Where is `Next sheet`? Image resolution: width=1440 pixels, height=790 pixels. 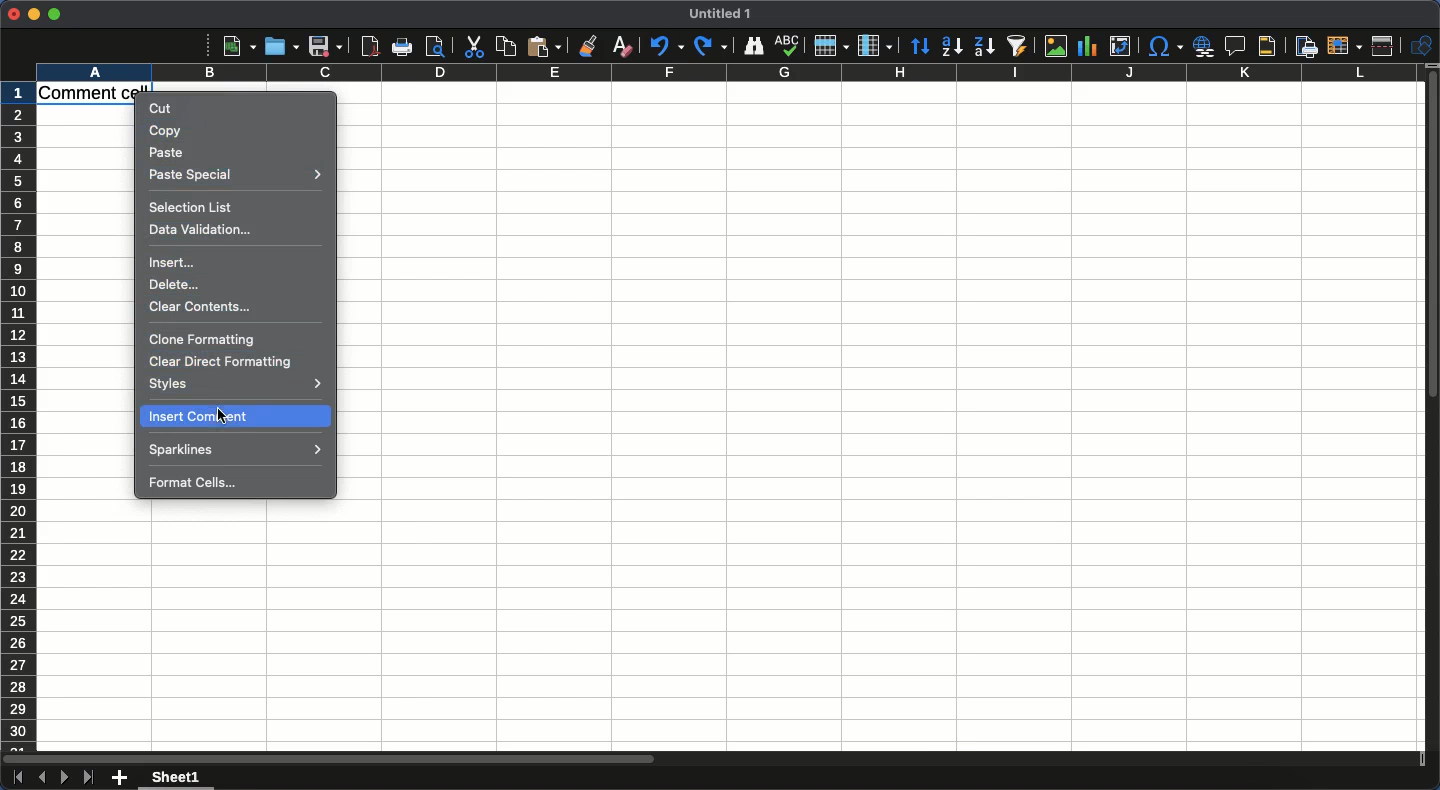
Next sheet is located at coordinates (65, 776).